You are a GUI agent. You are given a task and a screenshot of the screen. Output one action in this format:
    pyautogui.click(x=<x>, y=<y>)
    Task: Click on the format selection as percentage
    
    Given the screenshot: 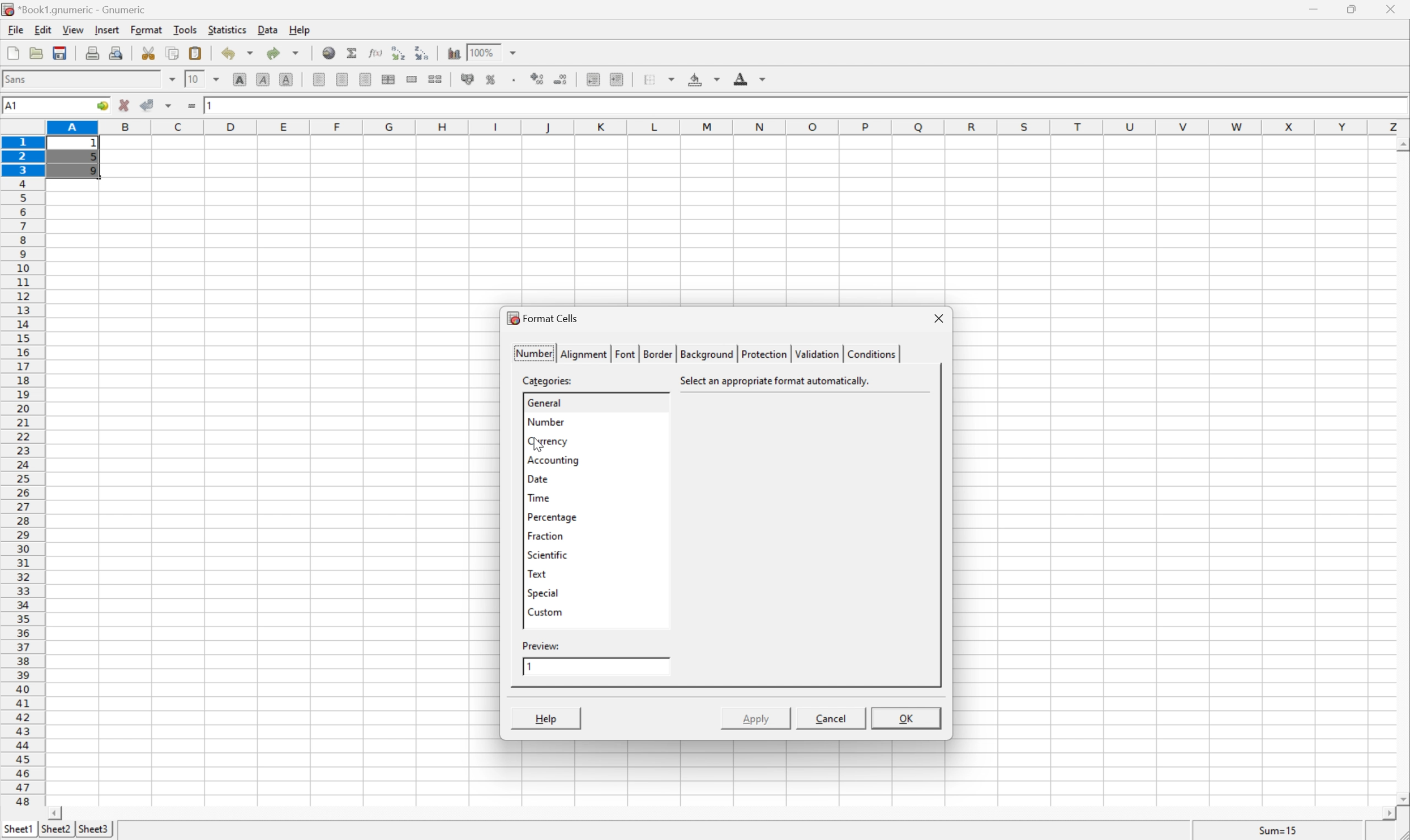 What is the action you would take?
    pyautogui.click(x=491, y=79)
    